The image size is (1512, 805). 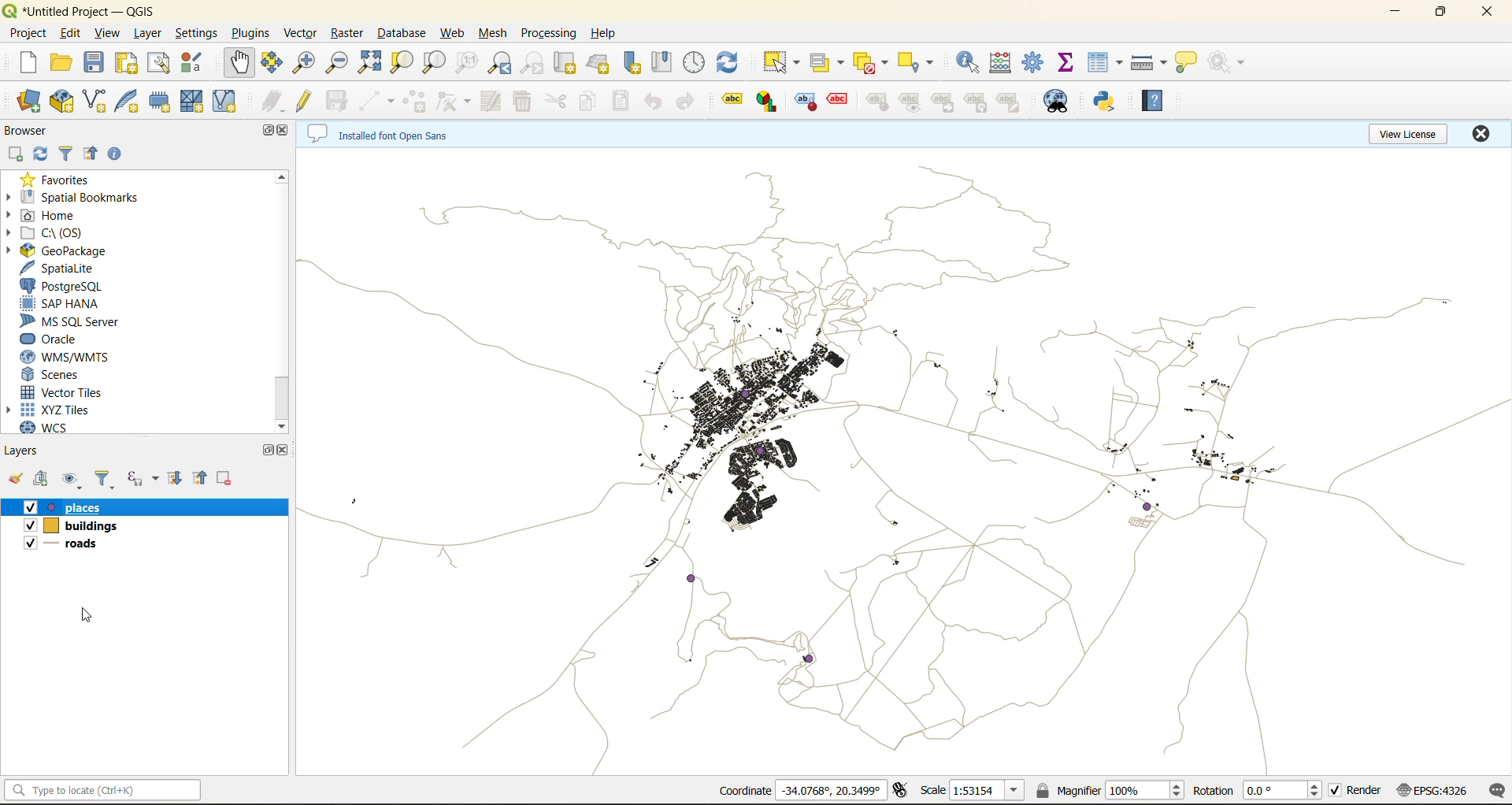 I want to click on favorites, so click(x=61, y=179).